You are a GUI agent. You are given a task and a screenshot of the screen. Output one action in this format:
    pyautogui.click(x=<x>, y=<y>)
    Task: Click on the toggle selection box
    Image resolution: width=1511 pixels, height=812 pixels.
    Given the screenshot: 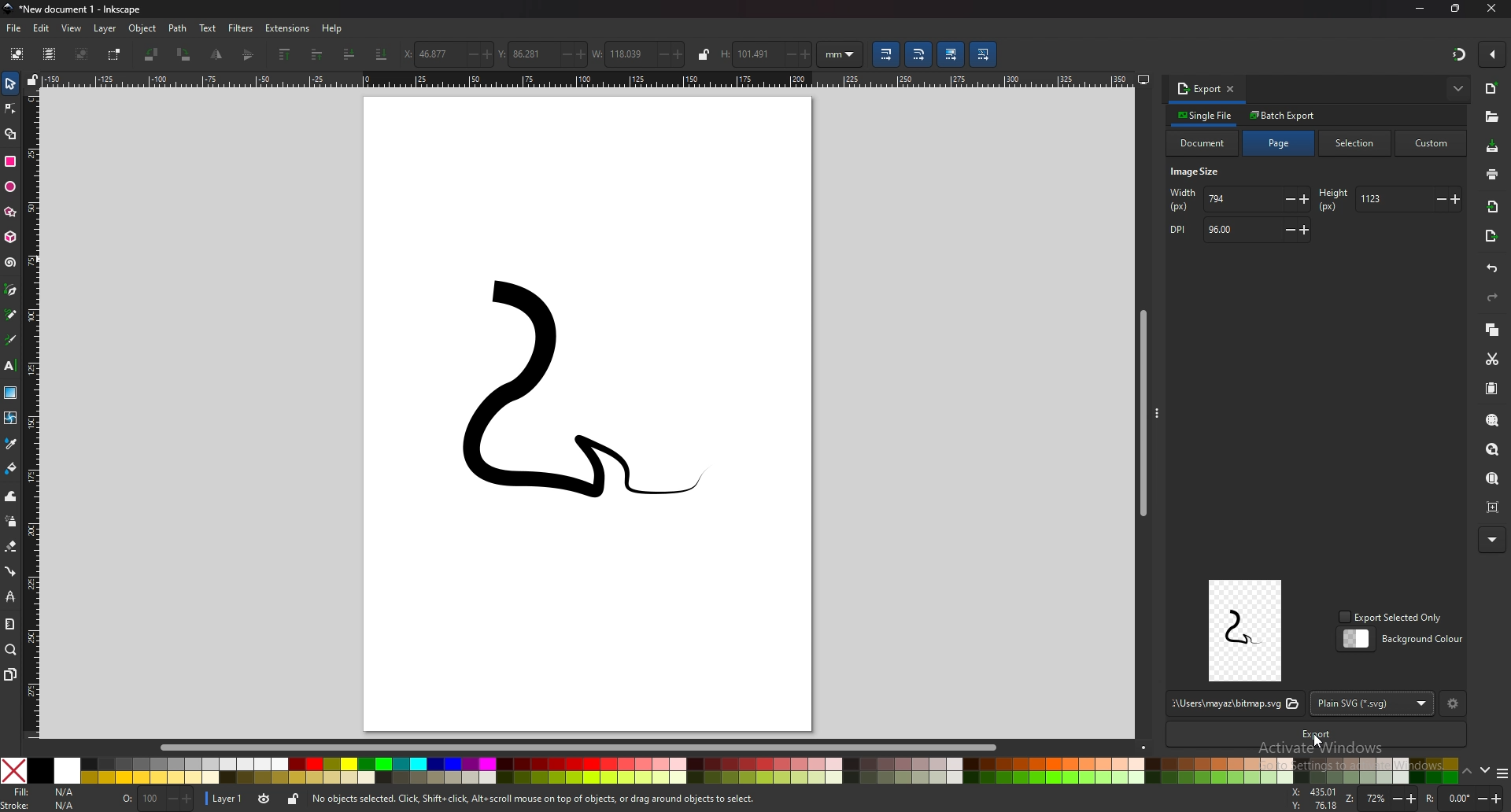 What is the action you would take?
    pyautogui.click(x=116, y=54)
    